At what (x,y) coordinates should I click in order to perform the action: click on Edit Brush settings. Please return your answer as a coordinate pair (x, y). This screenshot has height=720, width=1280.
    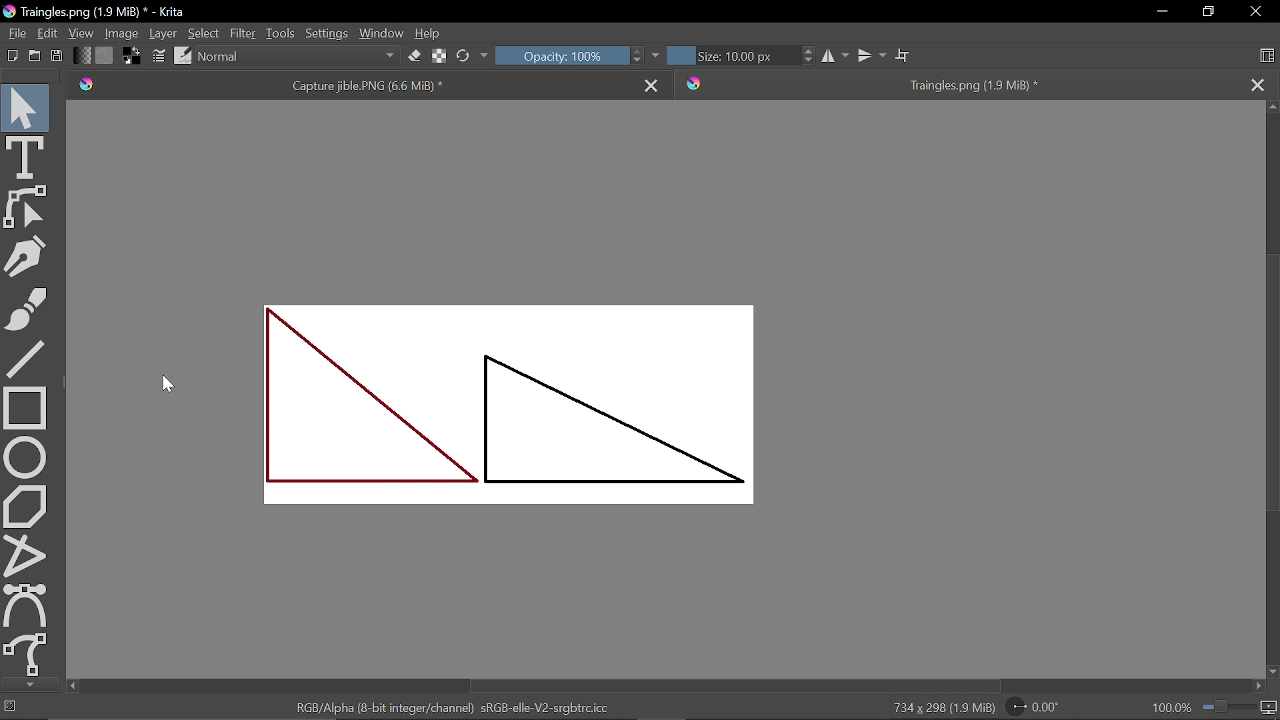
    Looking at the image, I should click on (157, 55).